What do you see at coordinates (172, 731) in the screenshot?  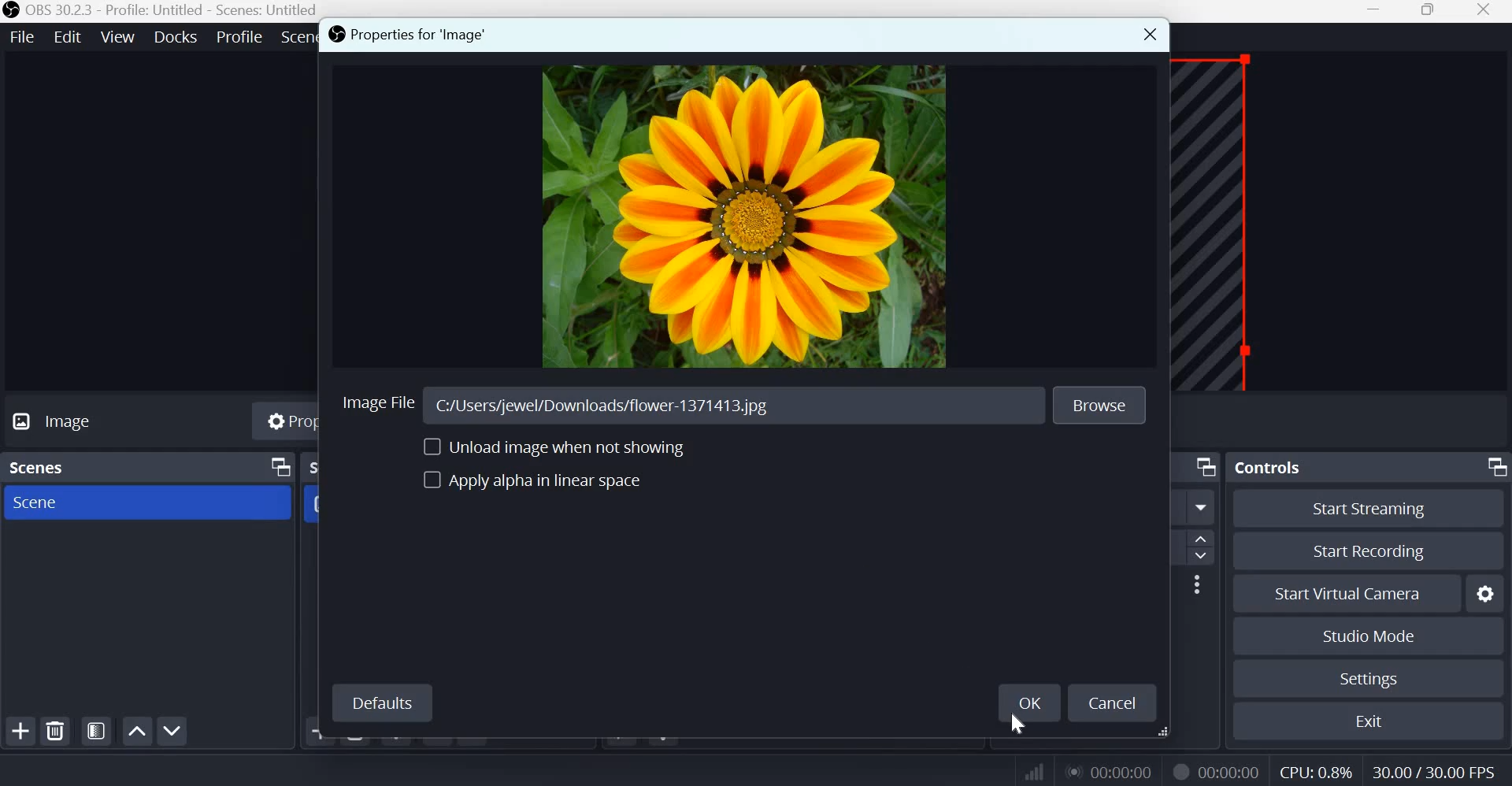 I see `Move scene down` at bounding box center [172, 731].